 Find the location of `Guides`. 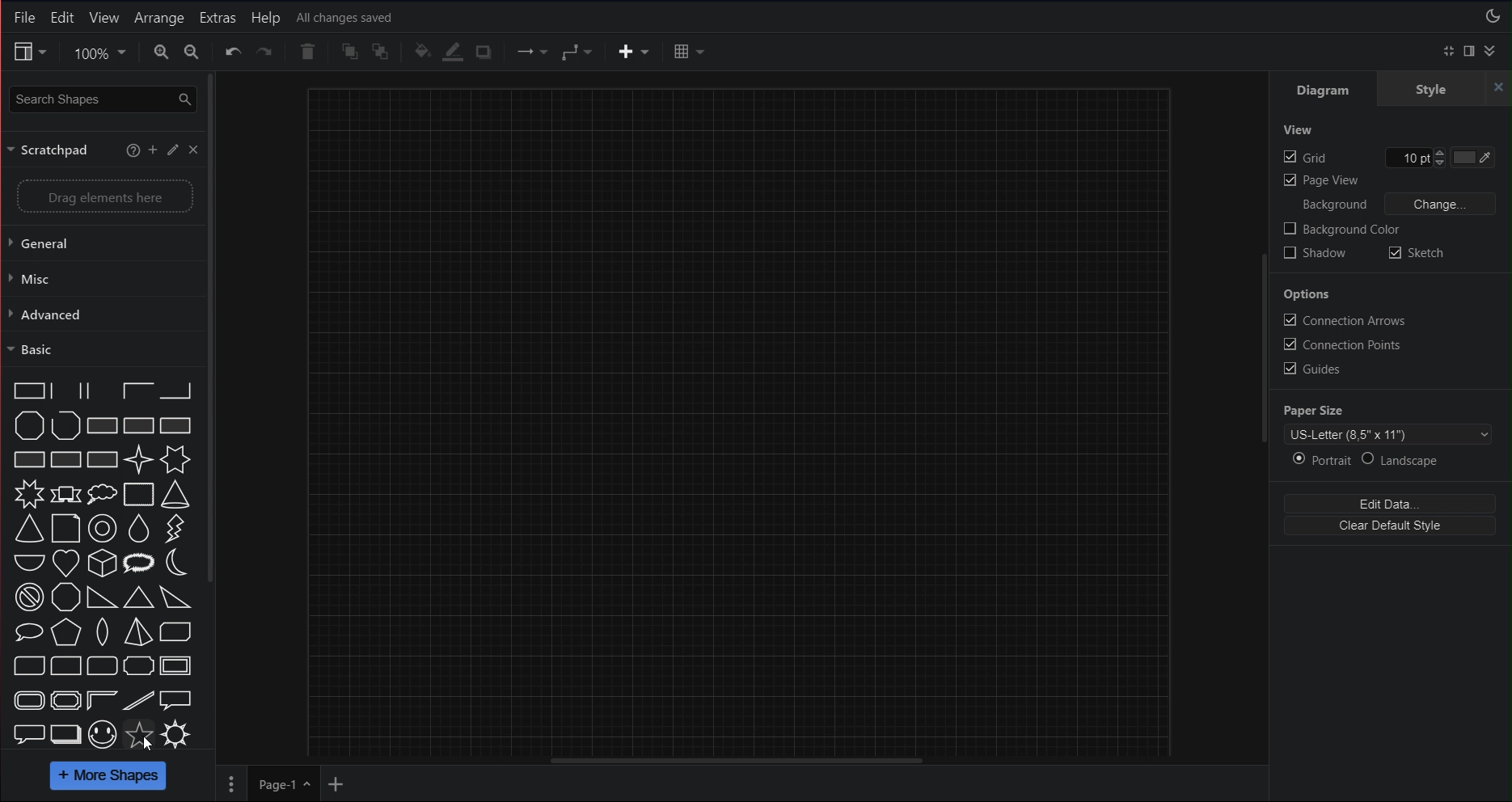

Guides is located at coordinates (1311, 369).